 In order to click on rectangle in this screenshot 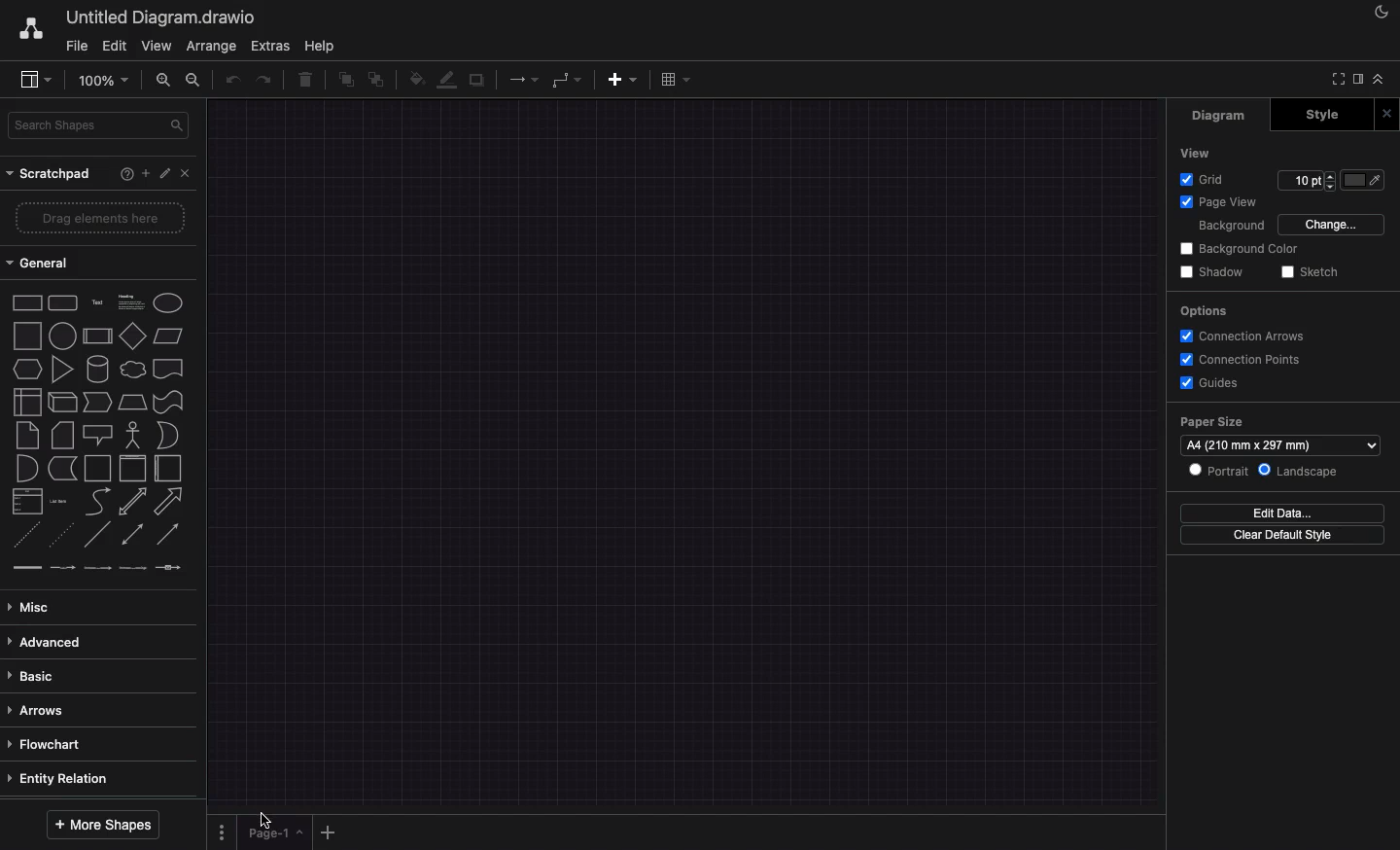, I will do `click(28, 303)`.